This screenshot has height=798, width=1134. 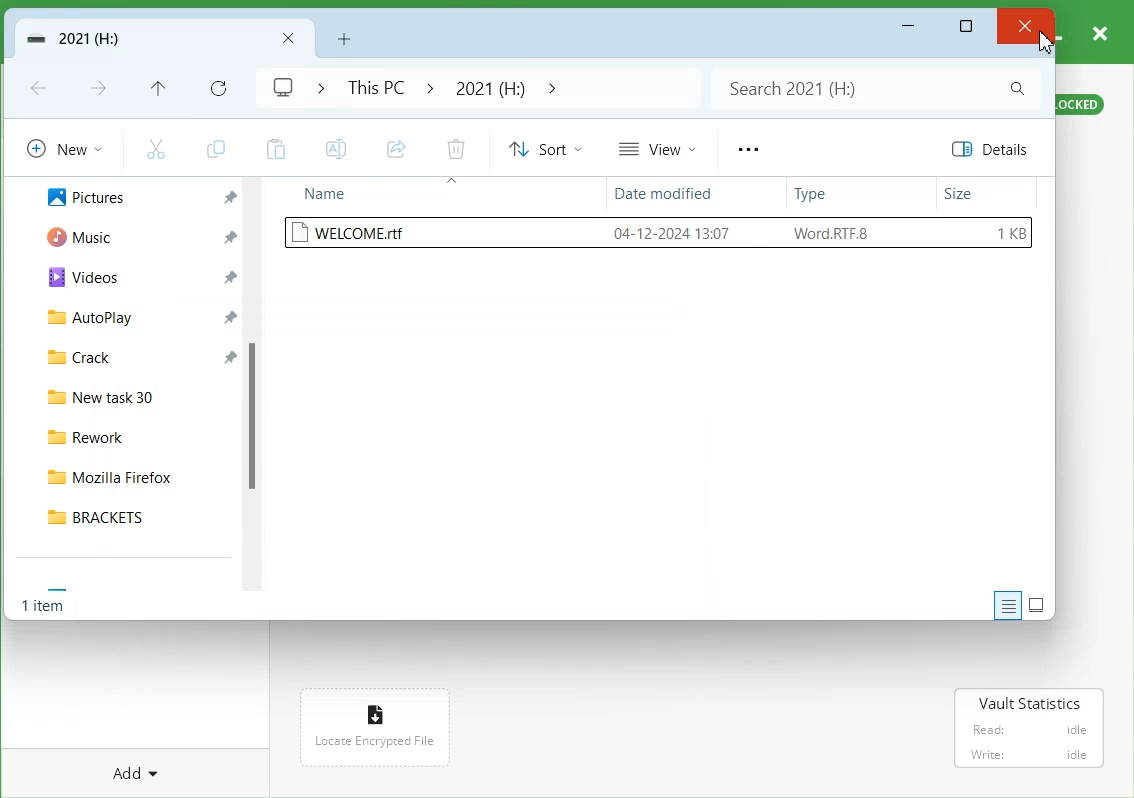 What do you see at coordinates (372, 87) in the screenshot?
I see `This PC` at bounding box center [372, 87].